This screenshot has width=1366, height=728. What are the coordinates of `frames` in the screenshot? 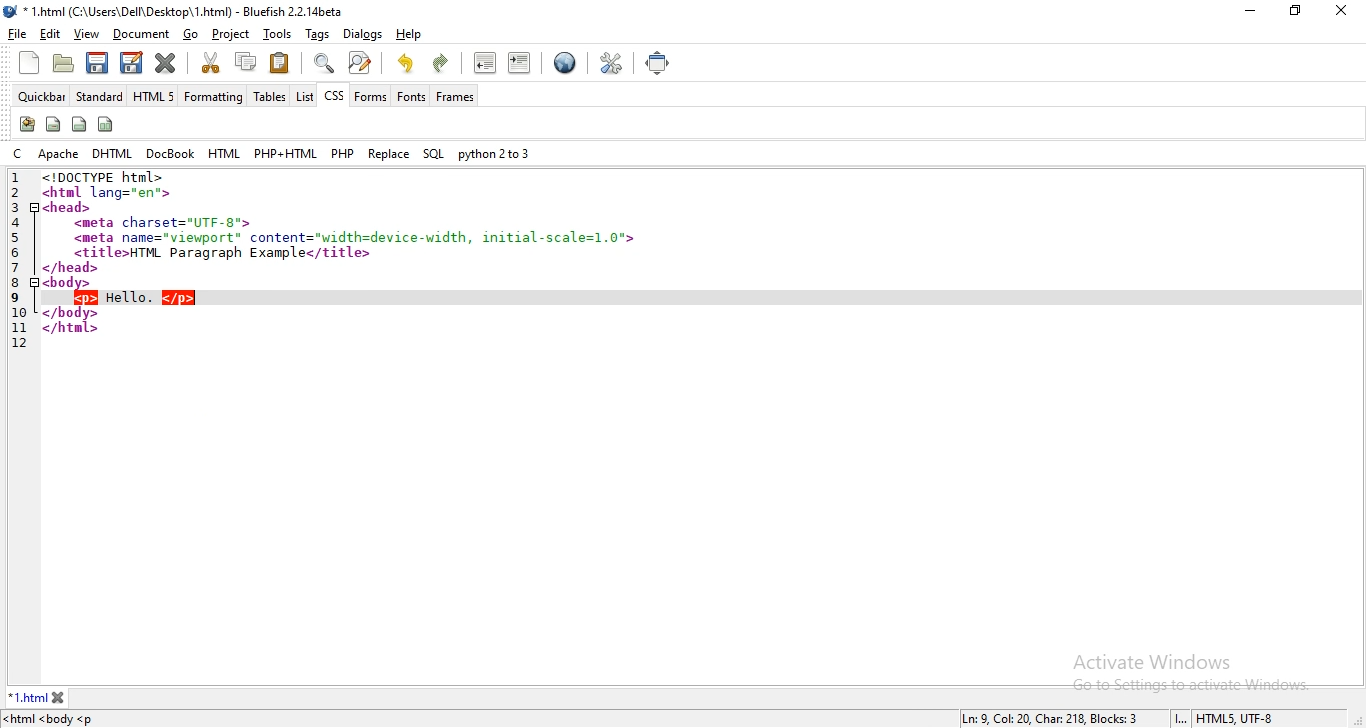 It's located at (454, 97).